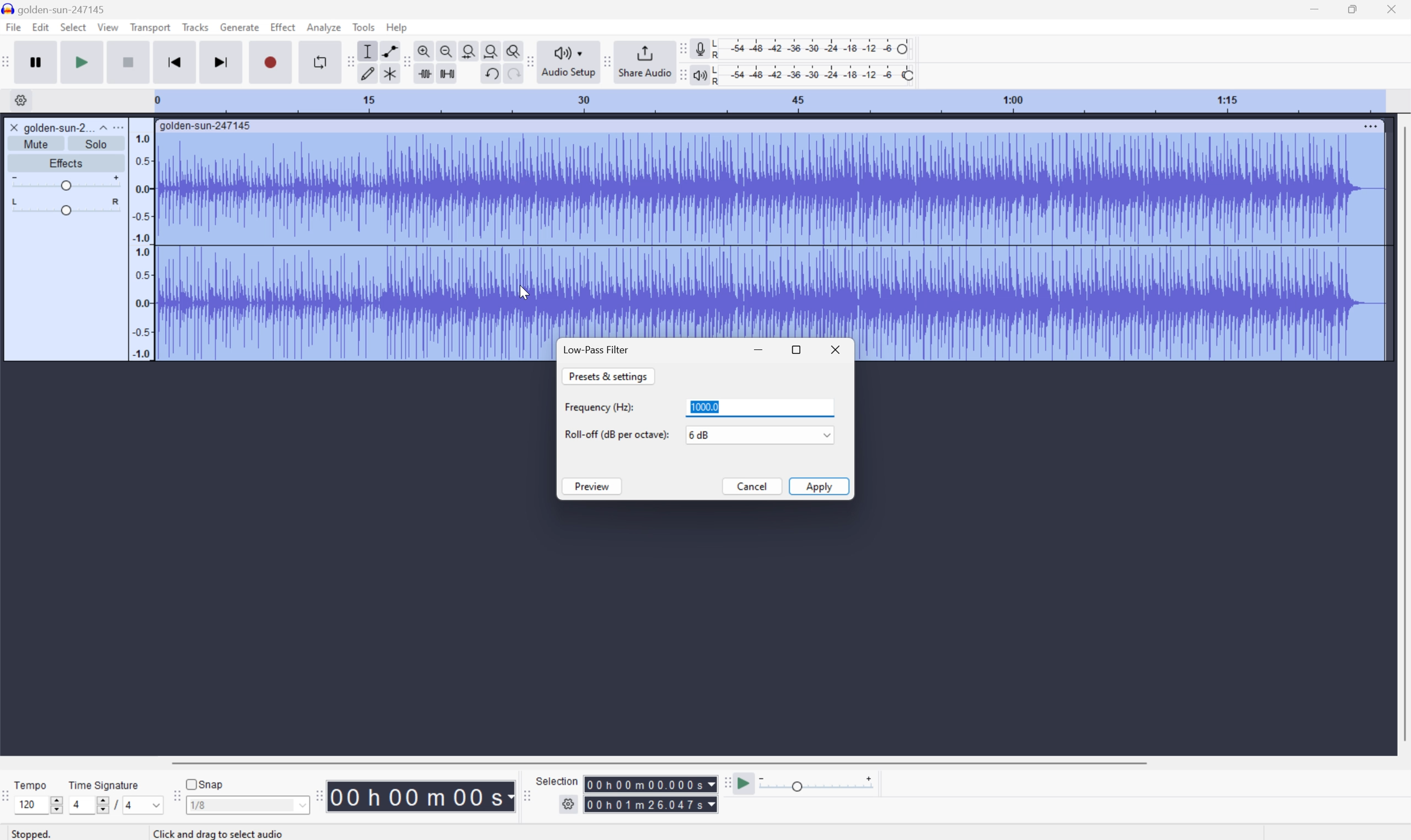 Image resolution: width=1411 pixels, height=840 pixels. I want to click on Close, so click(14, 127).